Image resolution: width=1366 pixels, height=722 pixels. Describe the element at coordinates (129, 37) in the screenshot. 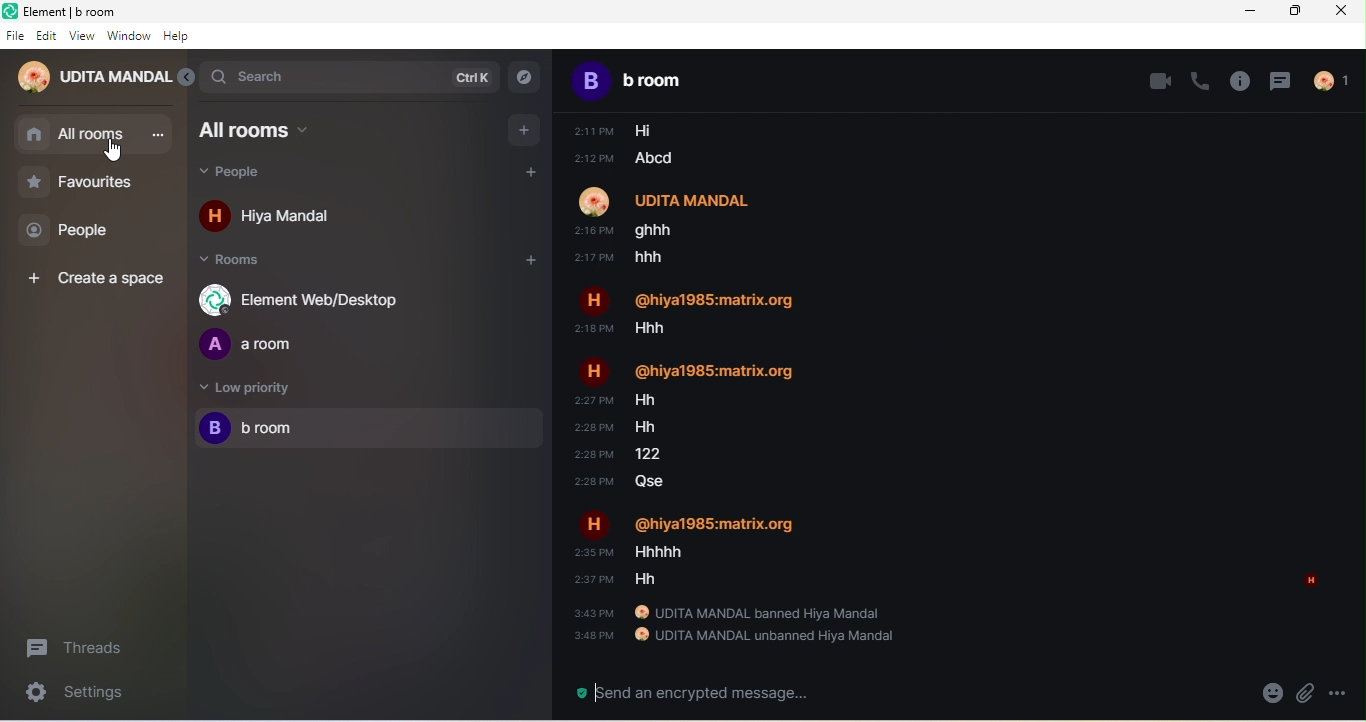

I see `window` at that location.